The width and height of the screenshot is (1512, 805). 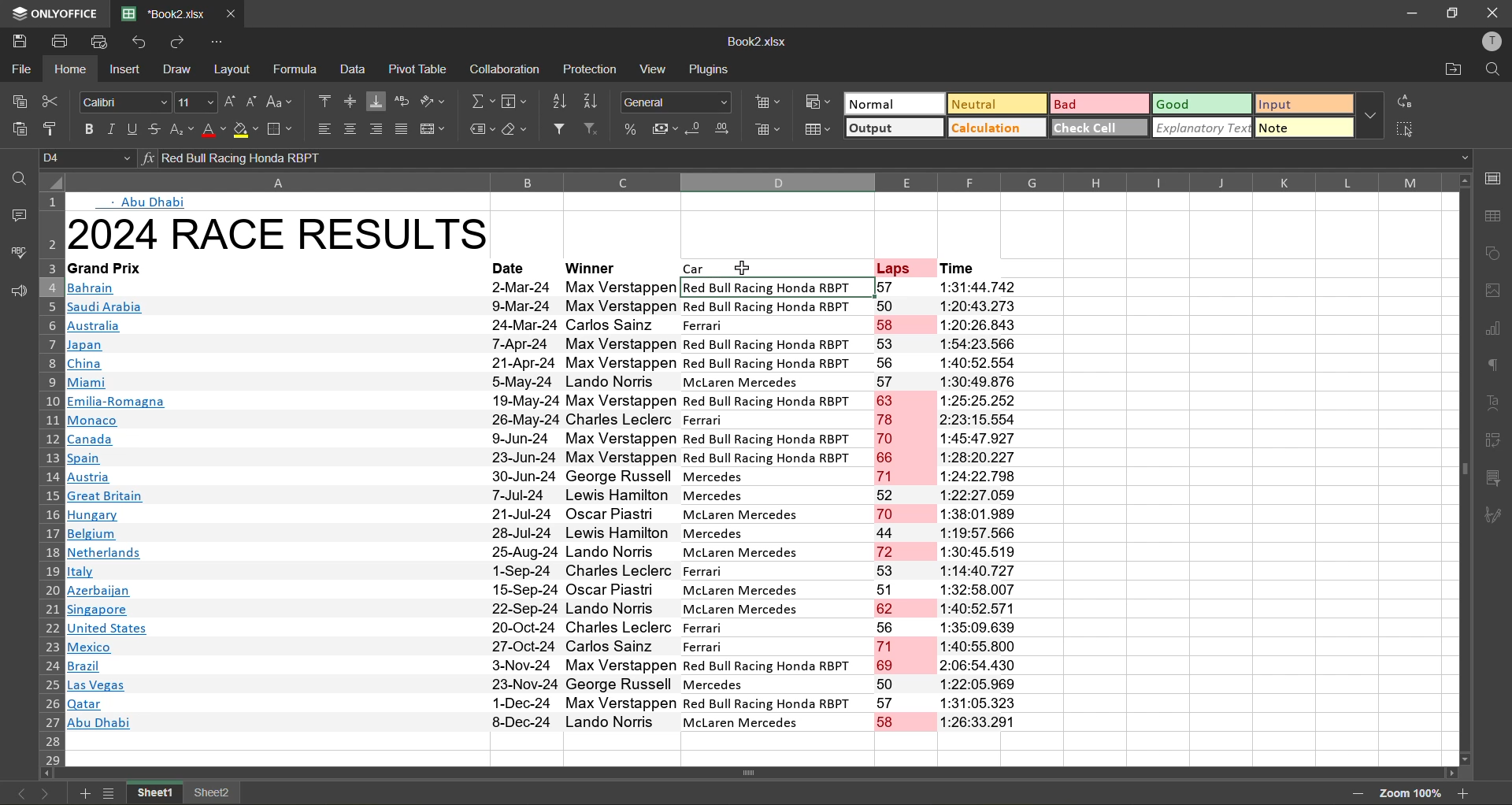 What do you see at coordinates (246, 132) in the screenshot?
I see `fill color` at bounding box center [246, 132].